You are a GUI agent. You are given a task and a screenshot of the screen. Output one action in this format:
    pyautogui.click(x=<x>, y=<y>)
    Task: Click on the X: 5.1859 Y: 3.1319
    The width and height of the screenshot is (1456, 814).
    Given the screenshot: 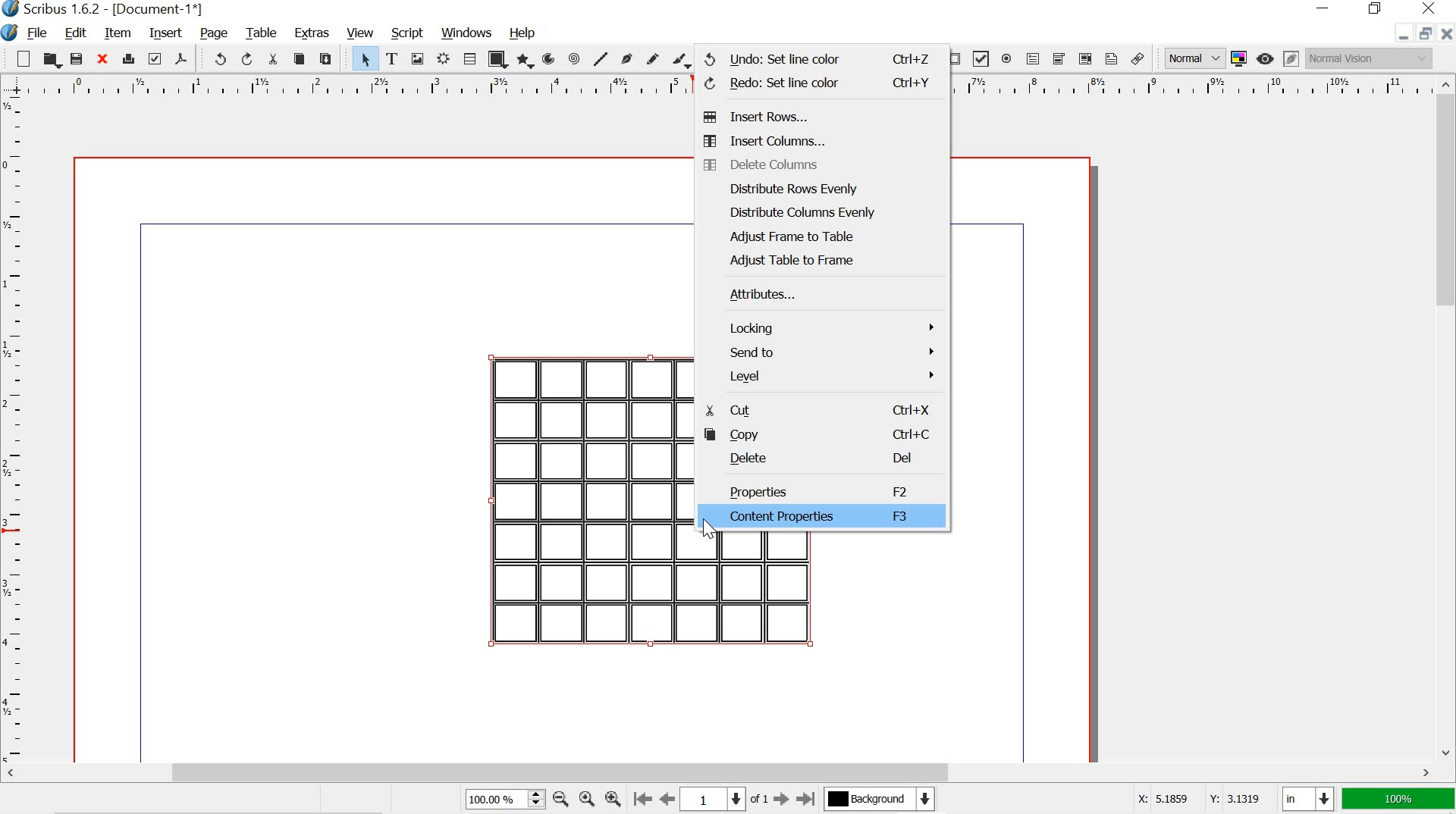 What is the action you would take?
    pyautogui.click(x=1198, y=800)
    